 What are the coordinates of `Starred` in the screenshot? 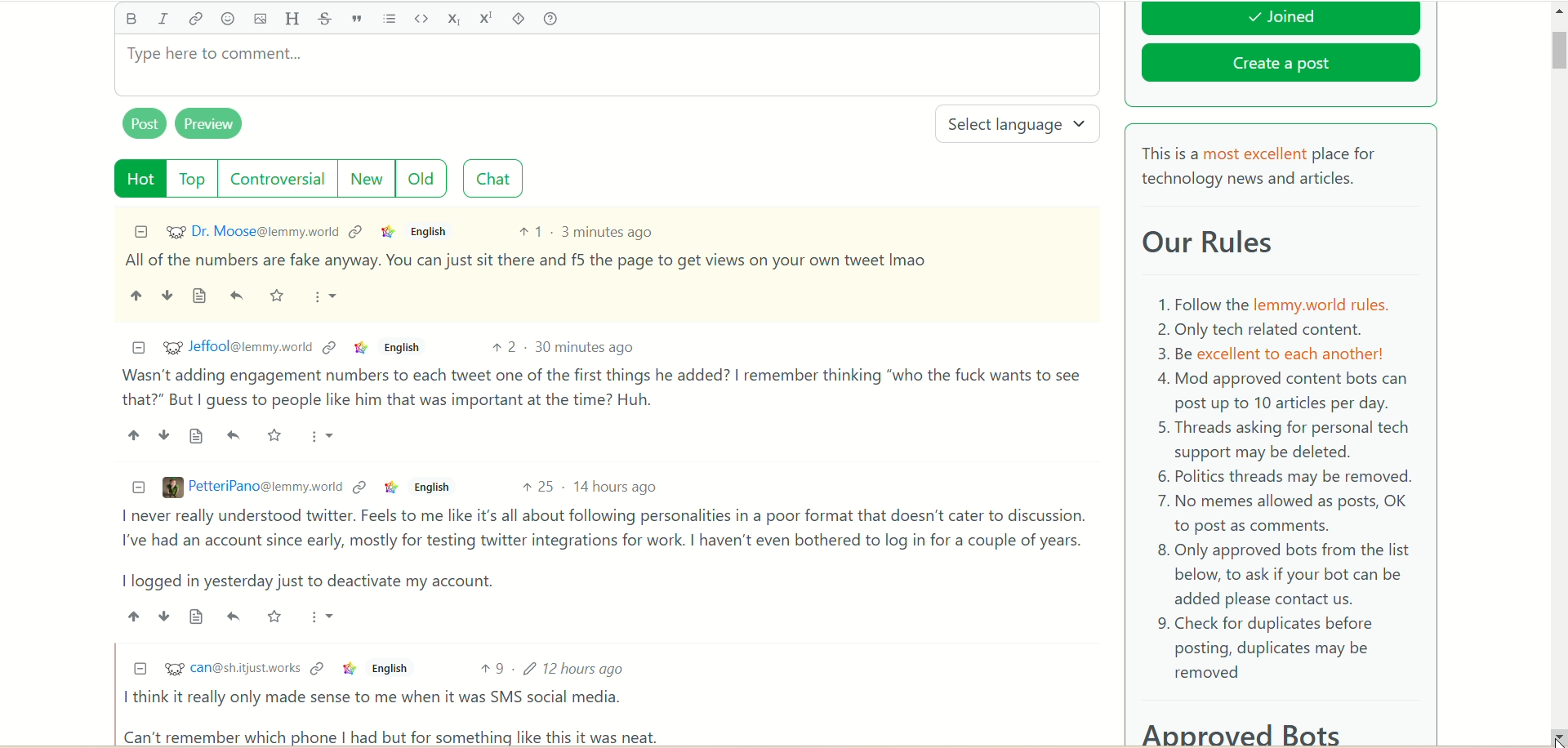 It's located at (276, 434).